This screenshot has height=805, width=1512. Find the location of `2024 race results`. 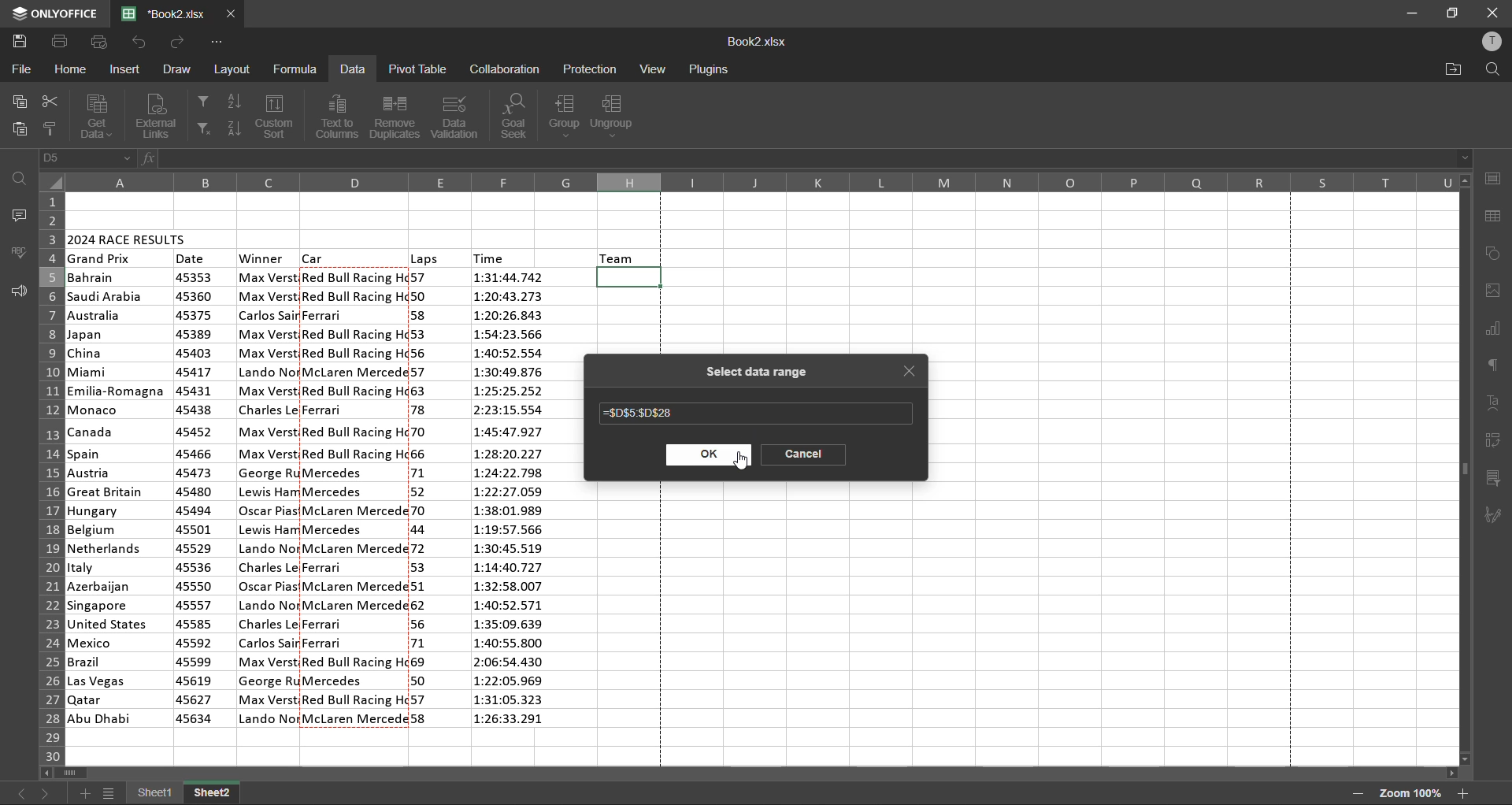

2024 race results is located at coordinates (129, 237).